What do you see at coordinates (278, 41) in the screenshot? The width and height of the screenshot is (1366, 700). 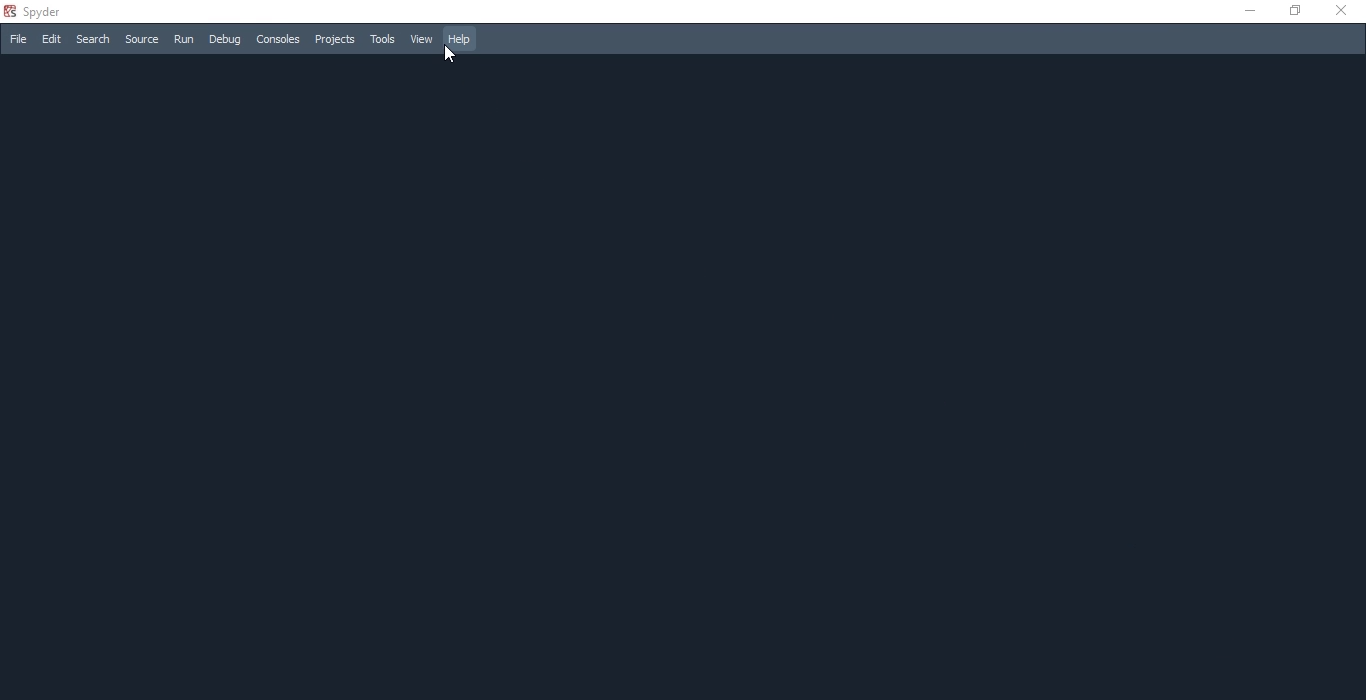 I see `Consoles` at bounding box center [278, 41].